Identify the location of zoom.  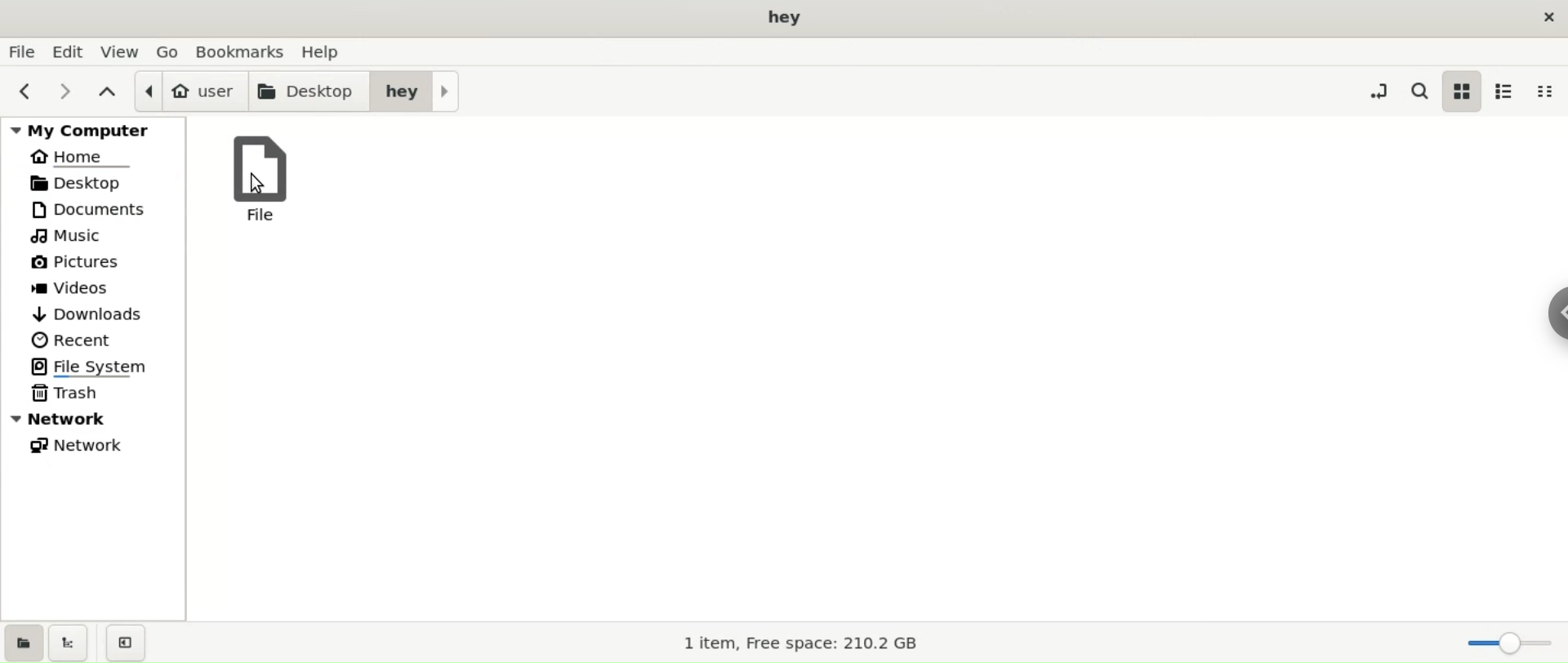
(1506, 642).